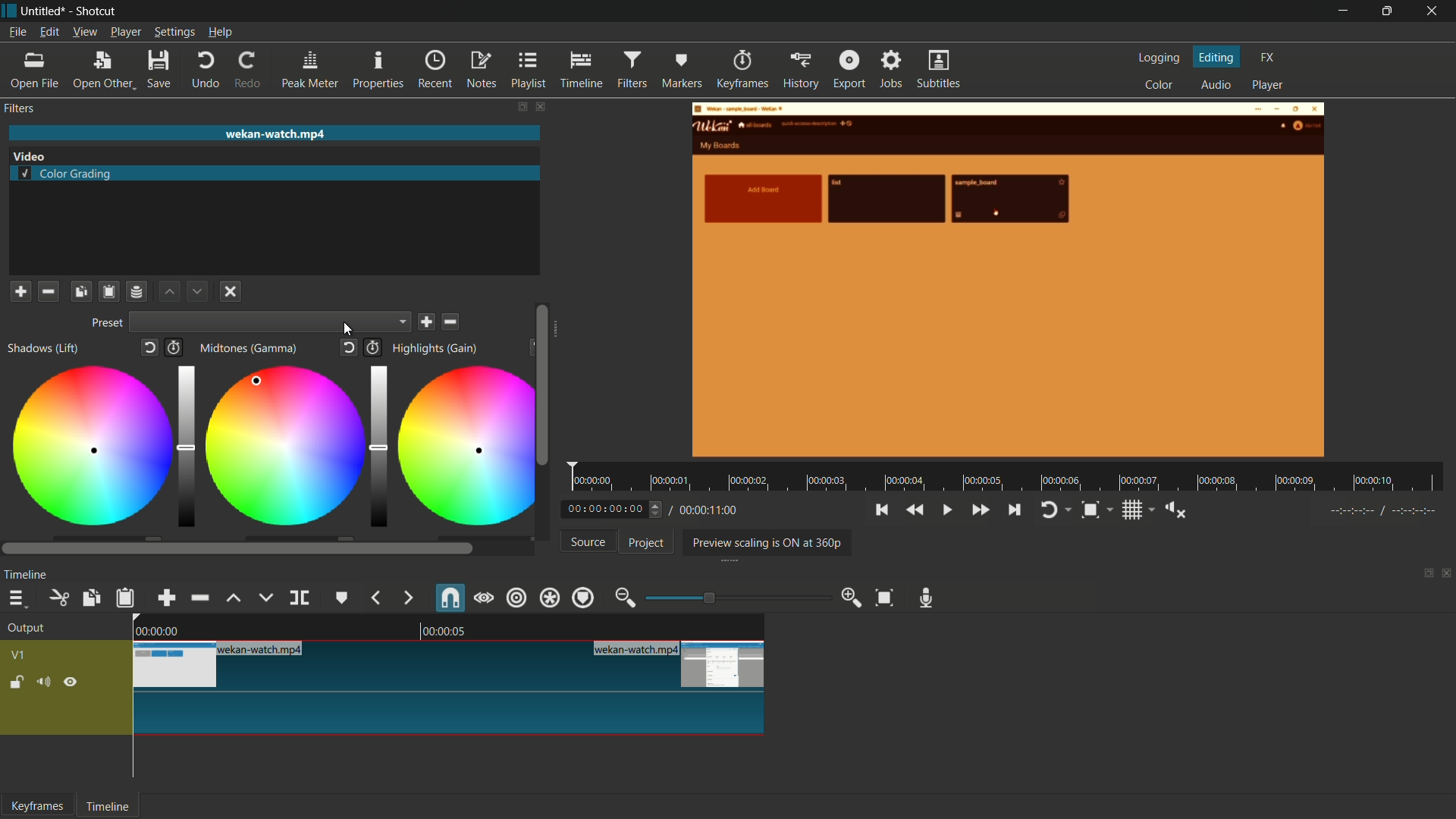 The width and height of the screenshot is (1456, 819). What do you see at coordinates (633, 70) in the screenshot?
I see `filters` at bounding box center [633, 70].